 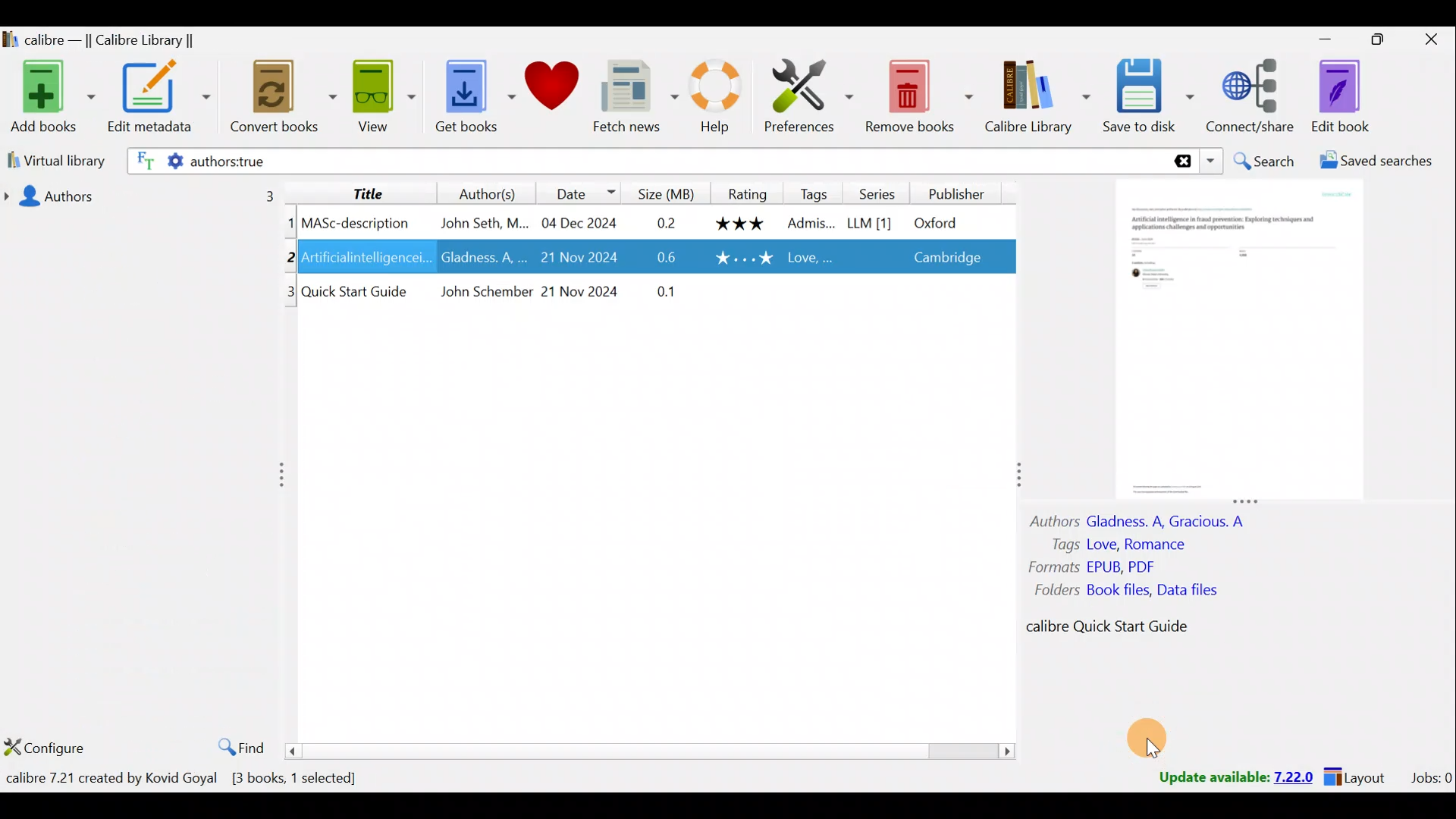 What do you see at coordinates (158, 99) in the screenshot?
I see `Edit metadata` at bounding box center [158, 99].